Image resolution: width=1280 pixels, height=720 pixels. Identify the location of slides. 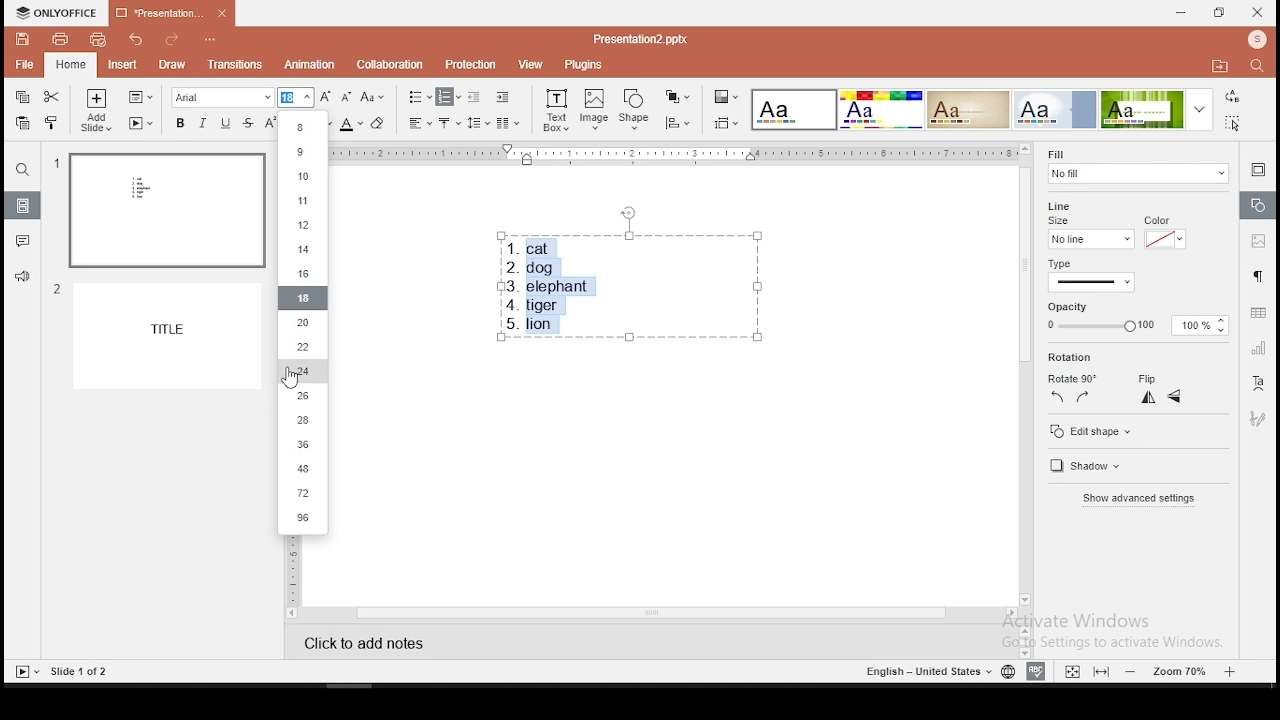
(22, 206).